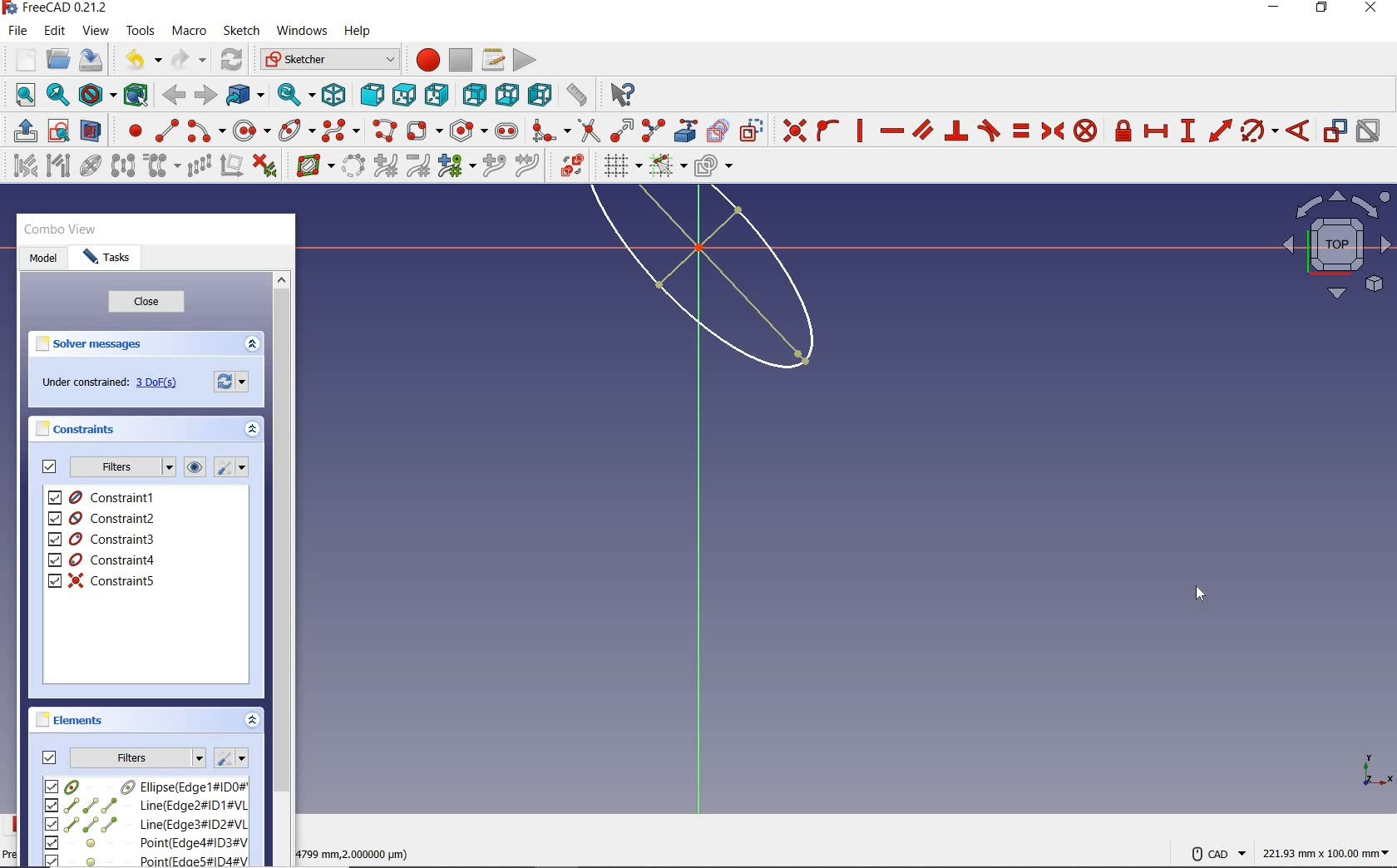 This screenshot has width=1397, height=868. What do you see at coordinates (353, 167) in the screenshot?
I see `convert geometry to B-spline` at bounding box center [353, 167].